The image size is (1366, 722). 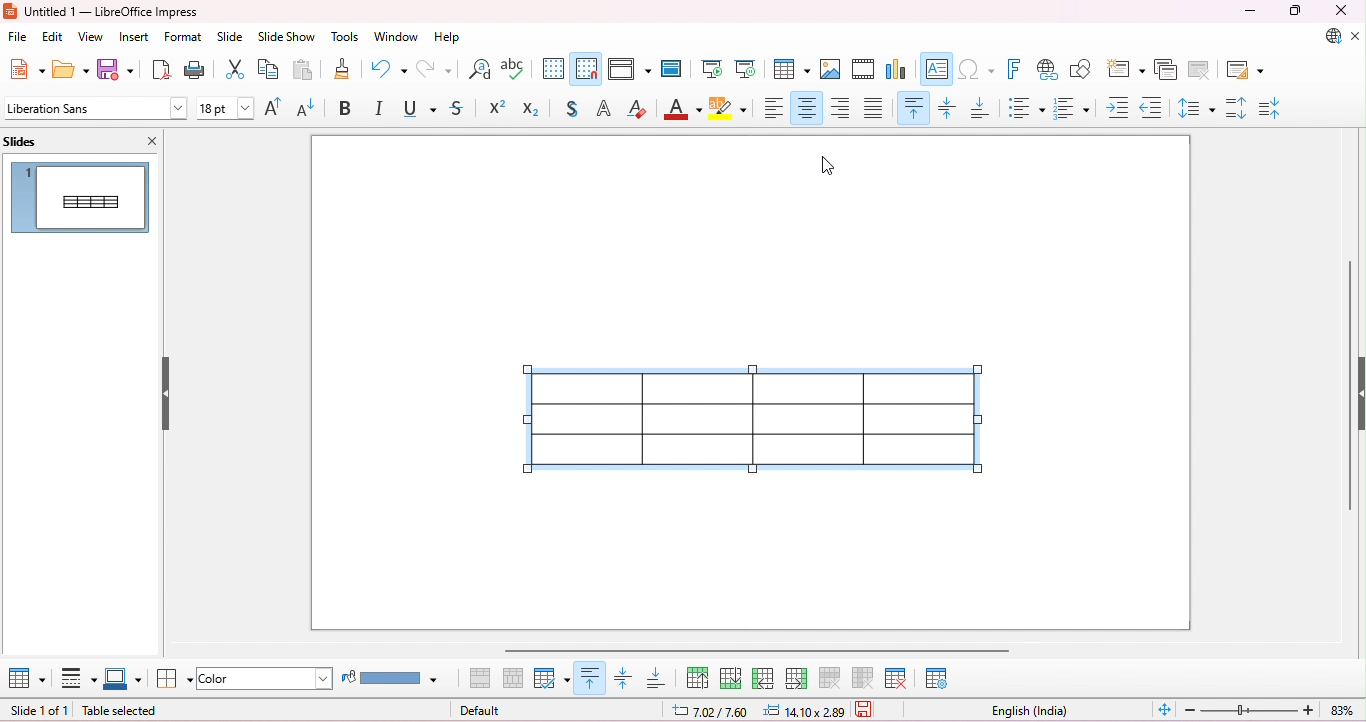 I want to click on insert special characters, so click(x=978, y=68).